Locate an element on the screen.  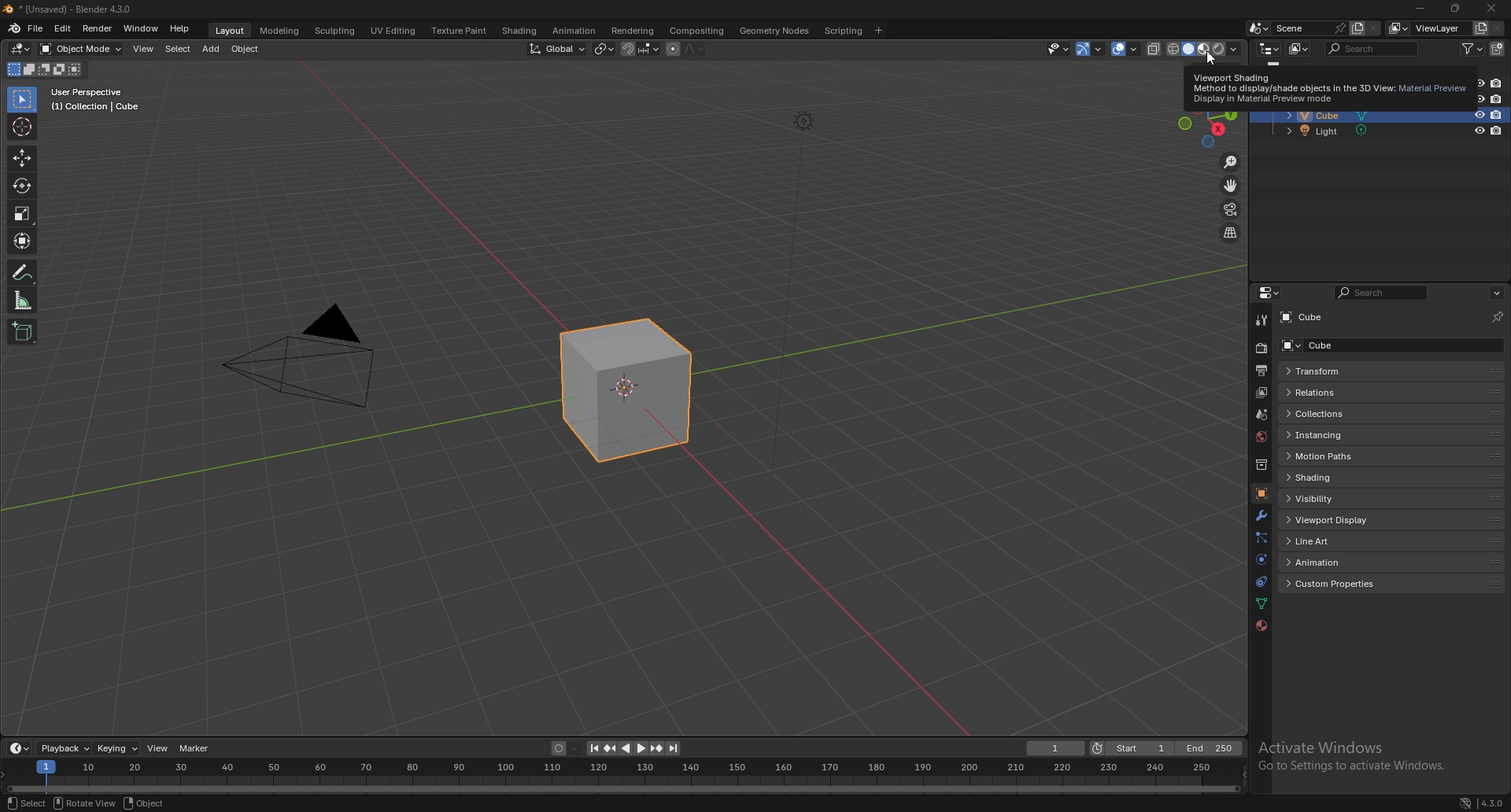
custom properties is located at coordinates (1346, 584).